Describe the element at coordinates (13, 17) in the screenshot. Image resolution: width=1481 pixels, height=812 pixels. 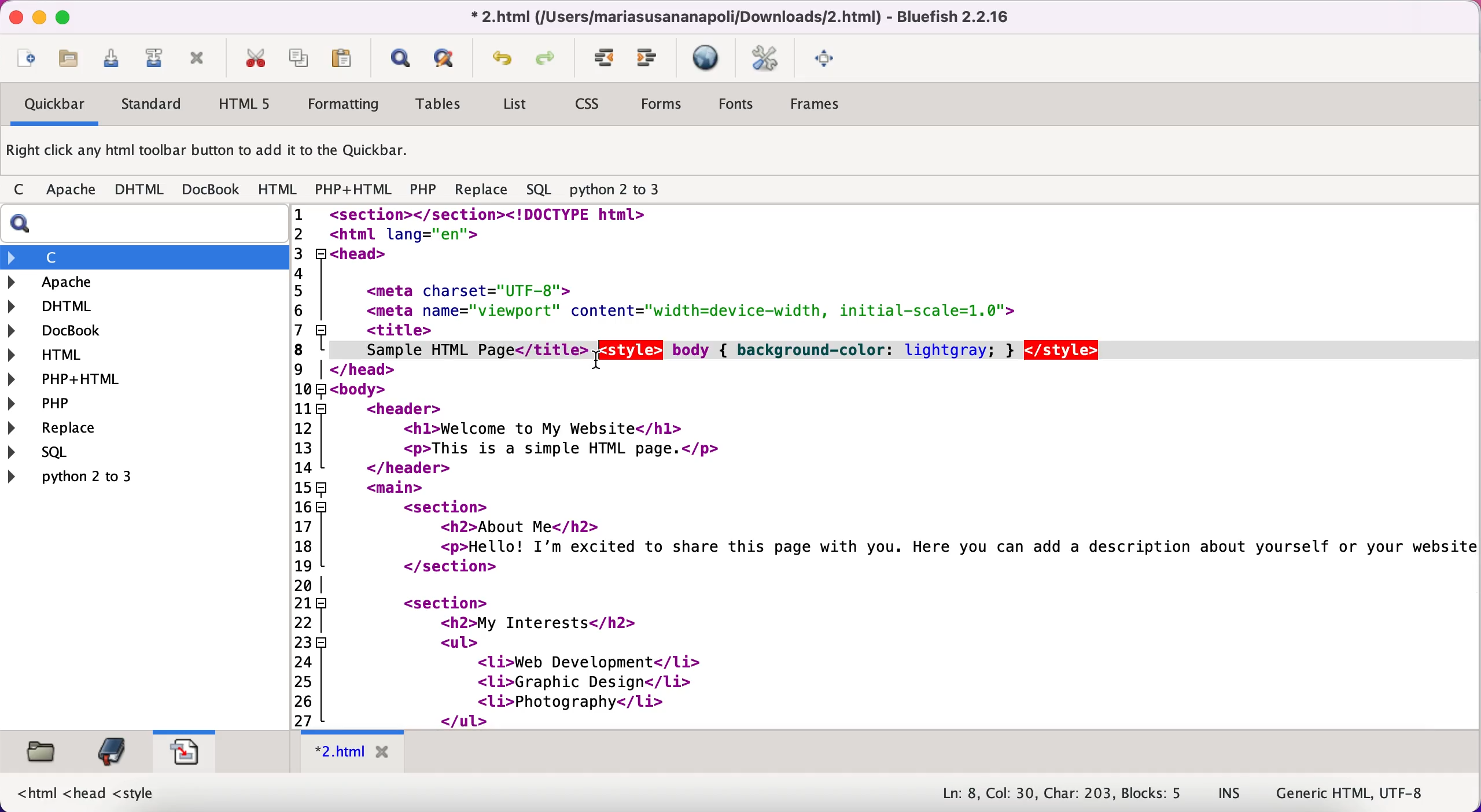
I see `close` at that location.